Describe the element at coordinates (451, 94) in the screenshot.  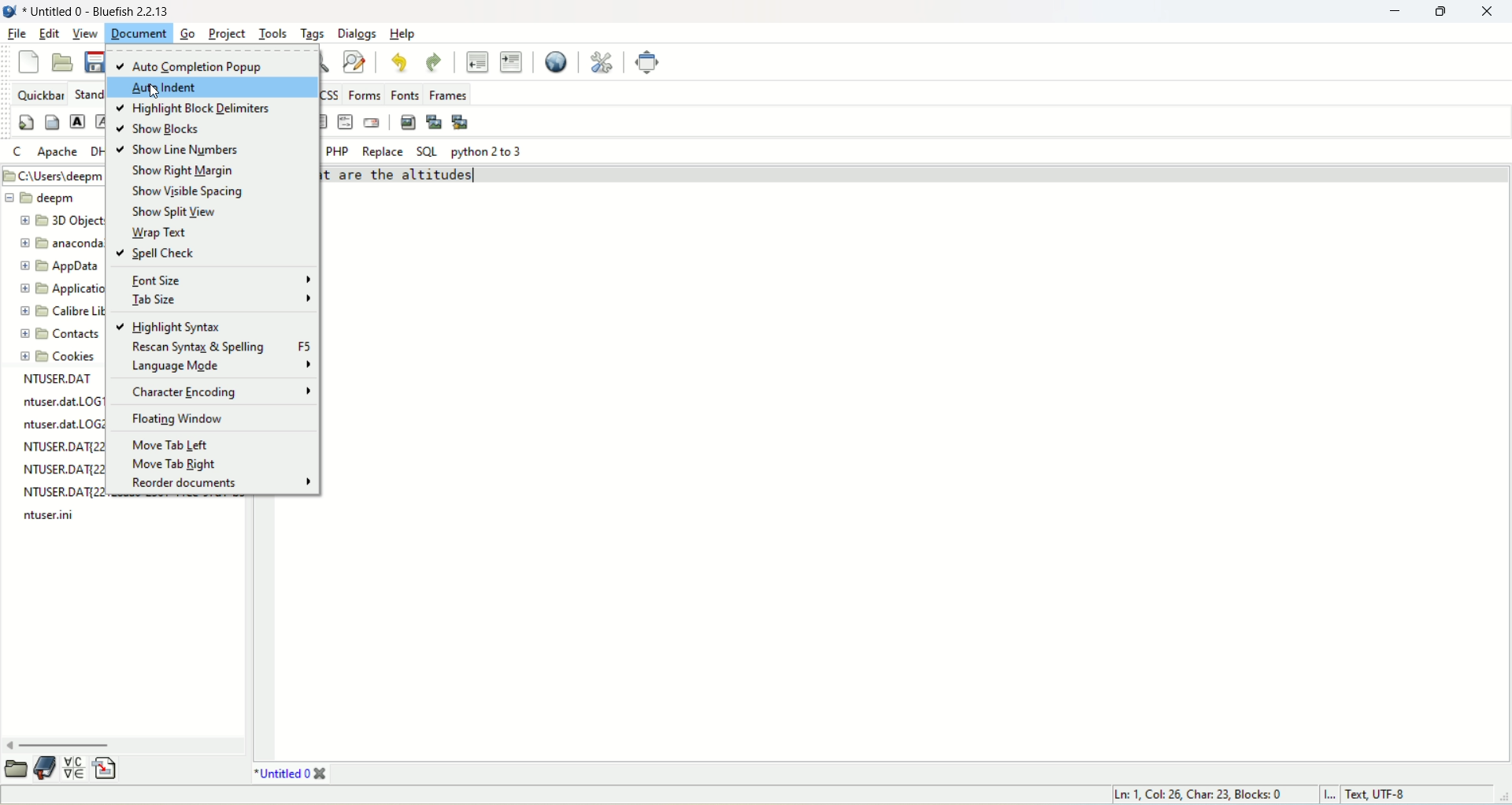
I see `frames` at that location.